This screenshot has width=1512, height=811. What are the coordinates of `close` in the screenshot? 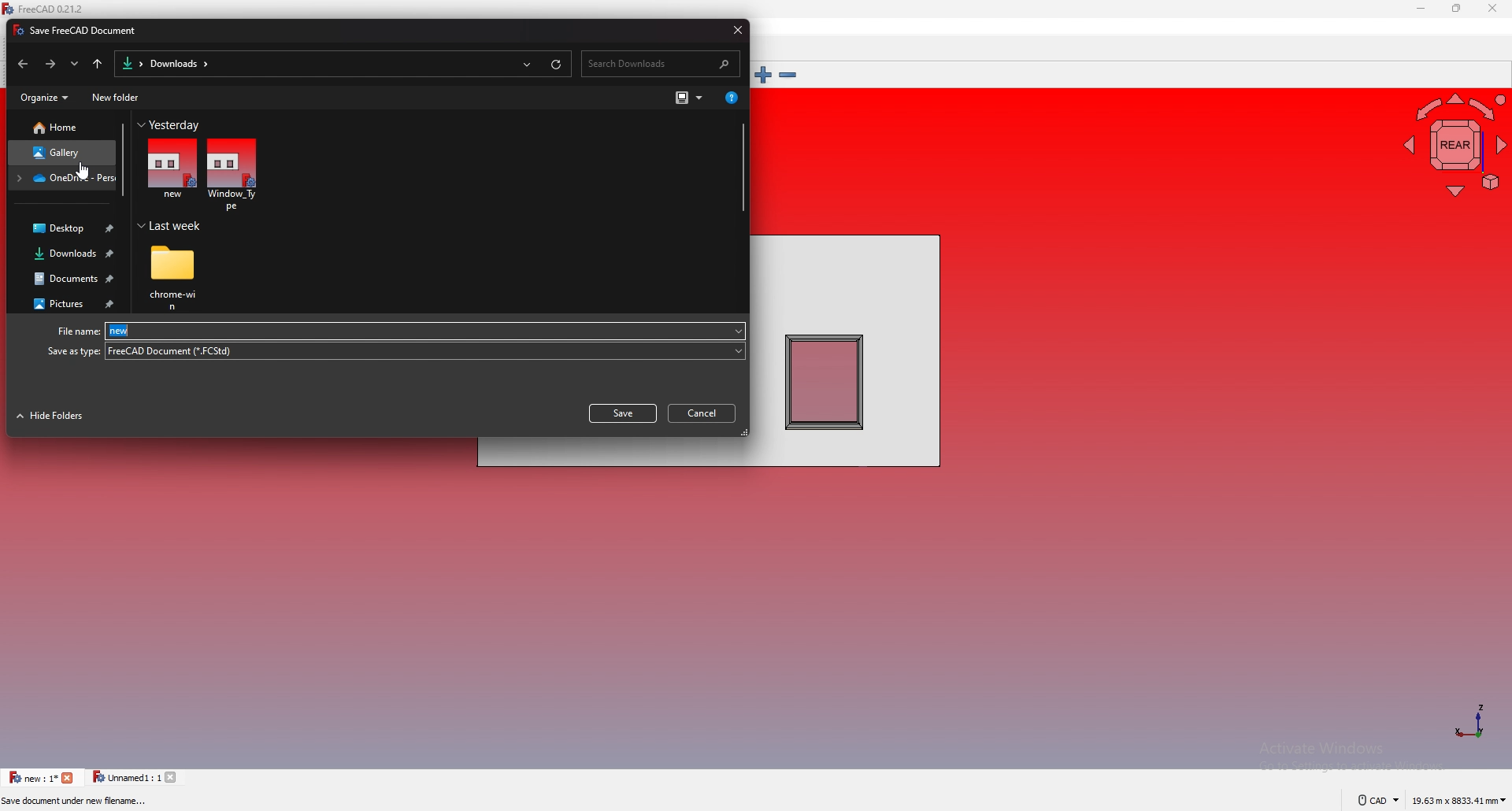 It's located at (1492, 8).